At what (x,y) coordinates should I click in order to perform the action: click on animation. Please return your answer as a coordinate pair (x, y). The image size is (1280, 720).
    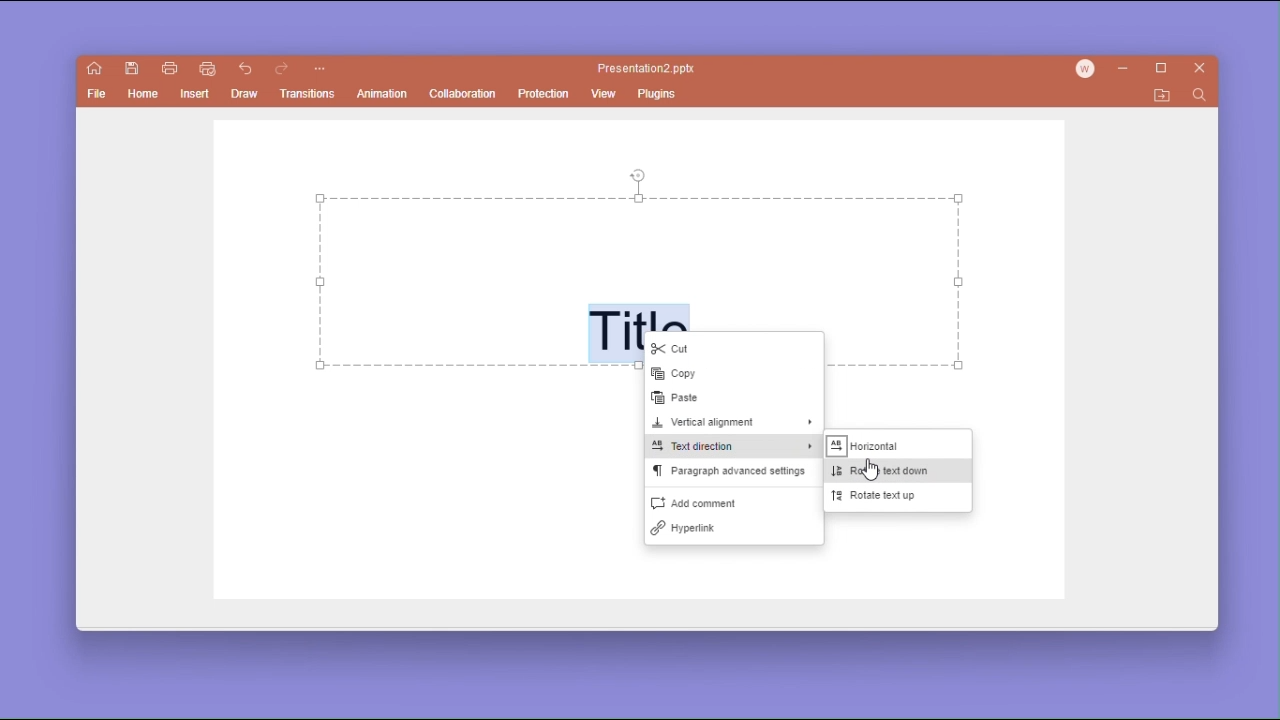
    Looking at the image, I should click on (383, 95).